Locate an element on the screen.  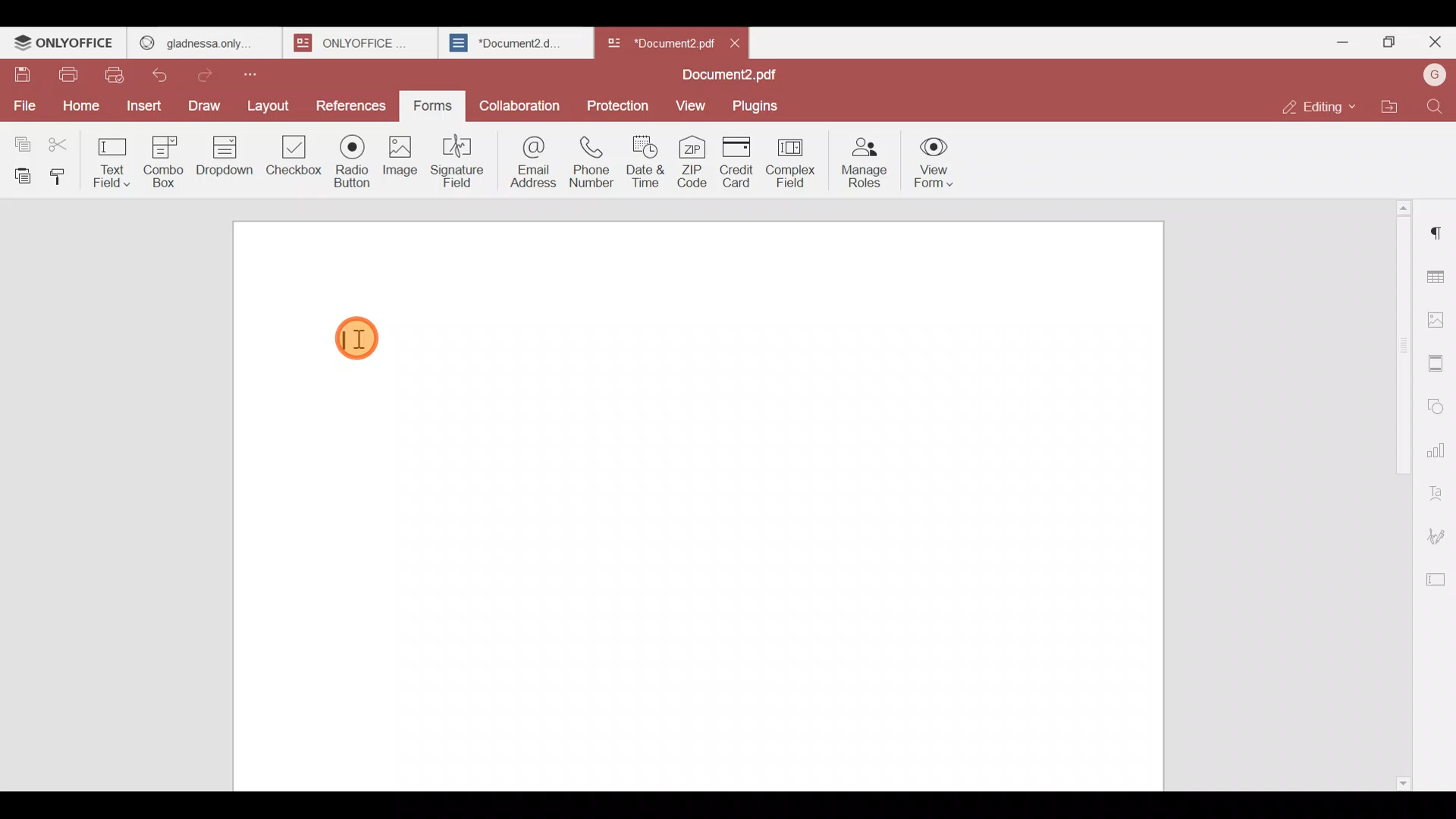
Paragraph settings is located at coordinates (1439, 227).